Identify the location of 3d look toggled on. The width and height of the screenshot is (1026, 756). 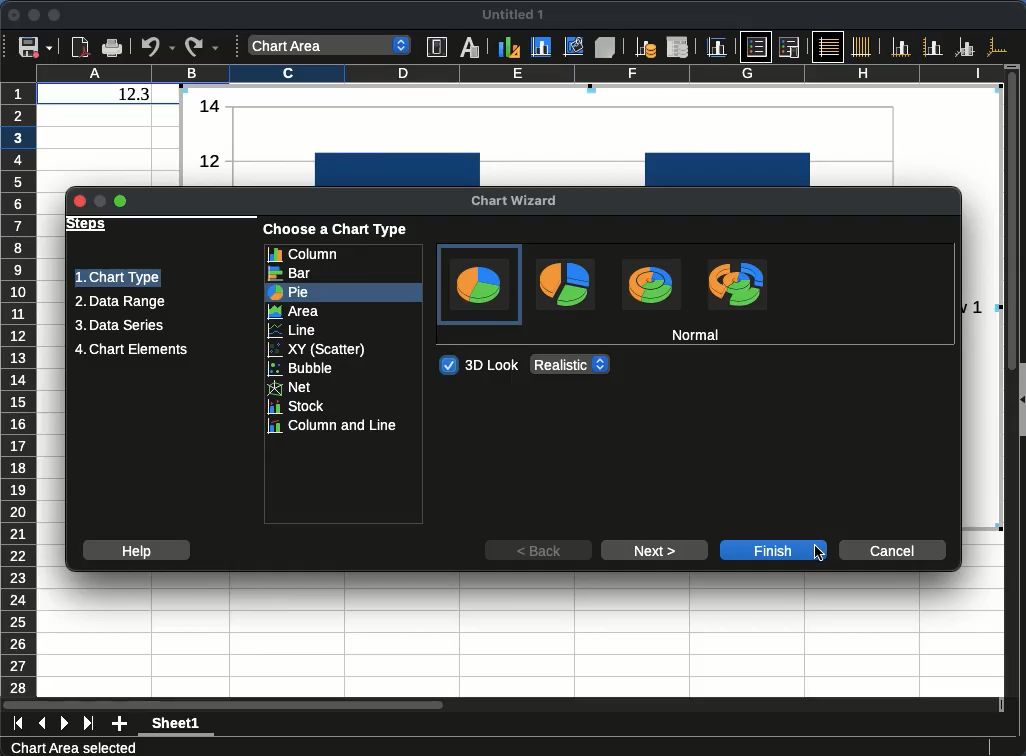
(480, 365).